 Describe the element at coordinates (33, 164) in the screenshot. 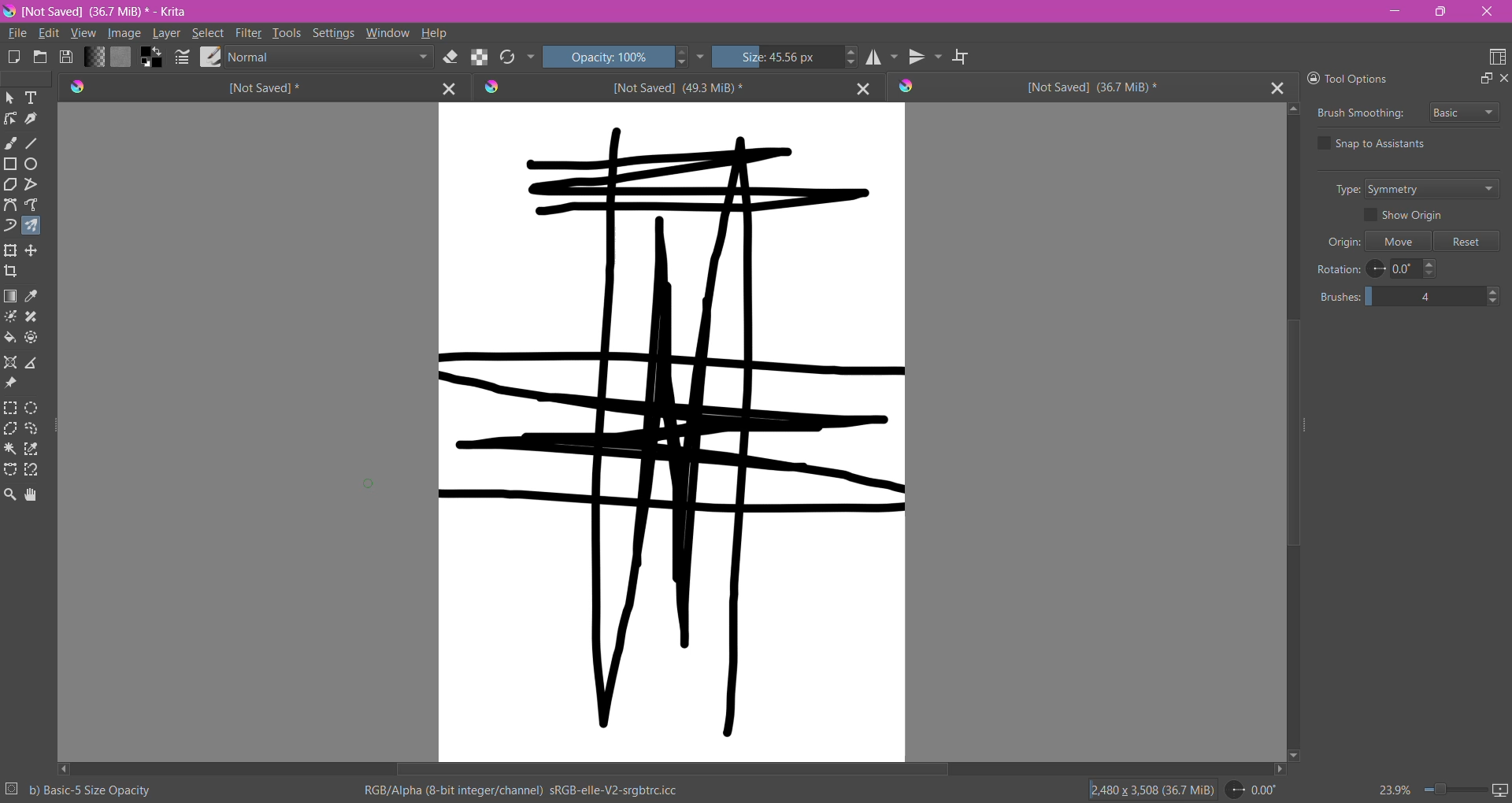

I see `Ellipse Tool` at that location.